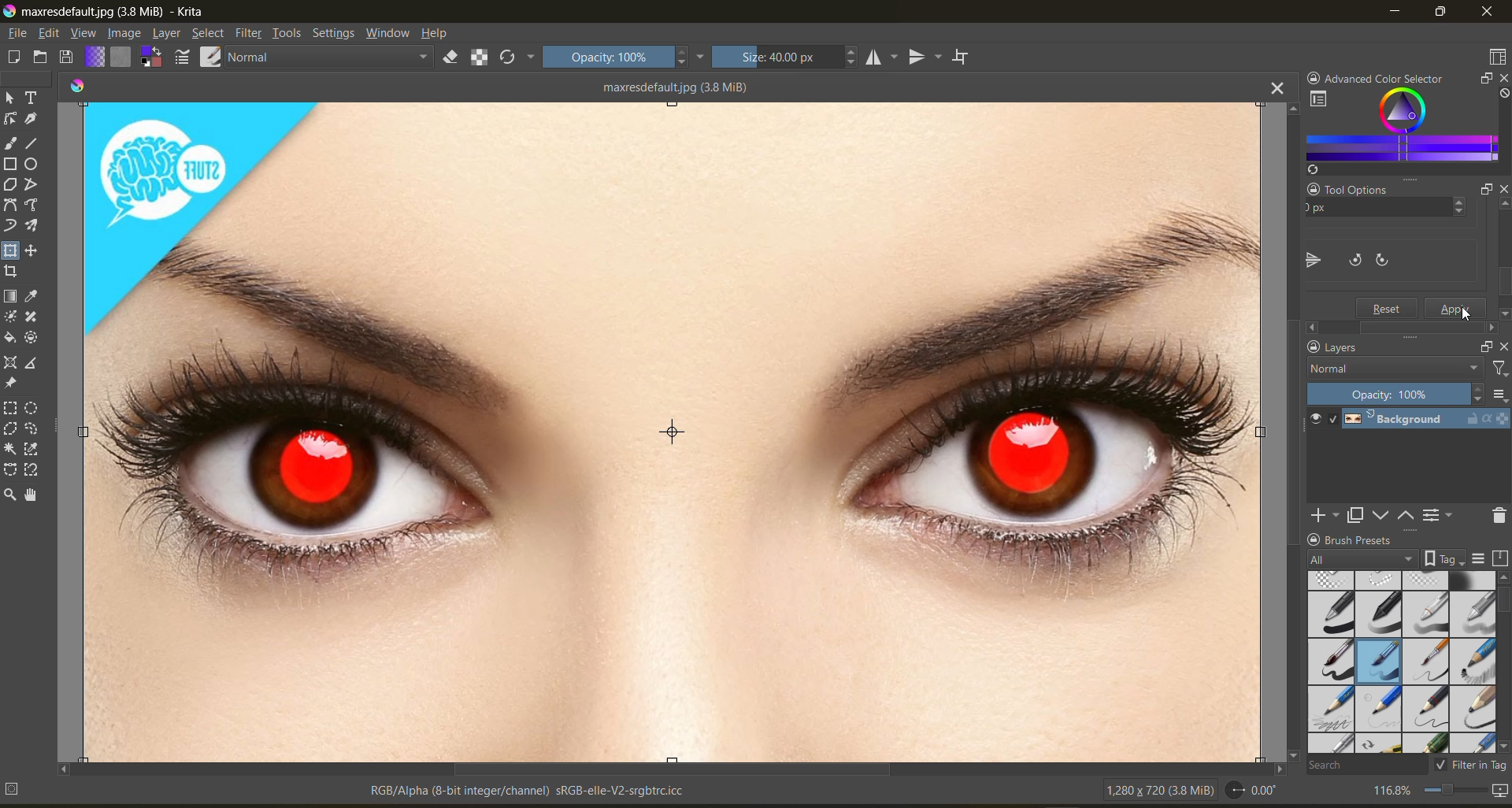  Describe the element at coordinates (9, 337) in the screenshot. I see `tool` at that location.